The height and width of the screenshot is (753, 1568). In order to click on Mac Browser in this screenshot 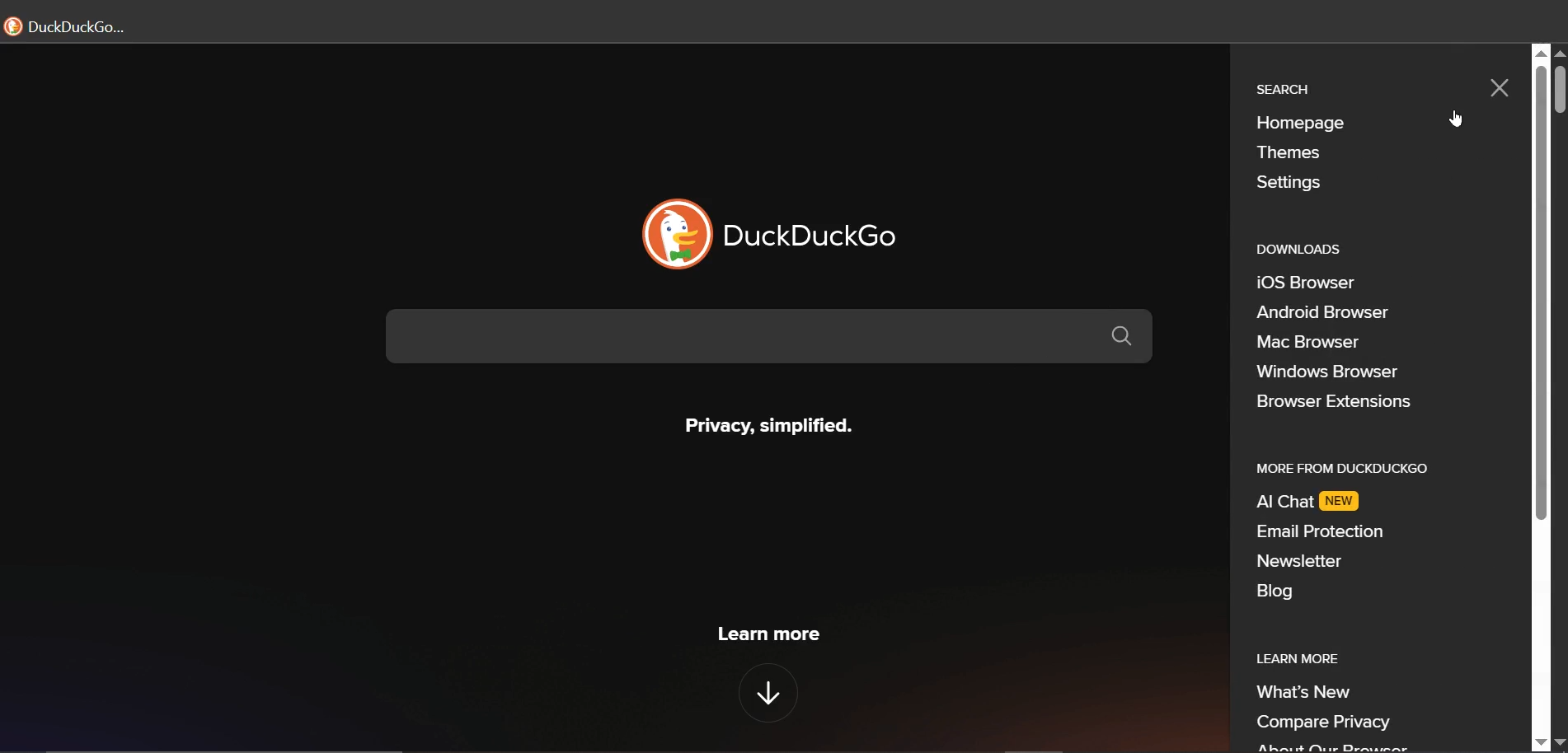, I will do `click(1312, 340)`.